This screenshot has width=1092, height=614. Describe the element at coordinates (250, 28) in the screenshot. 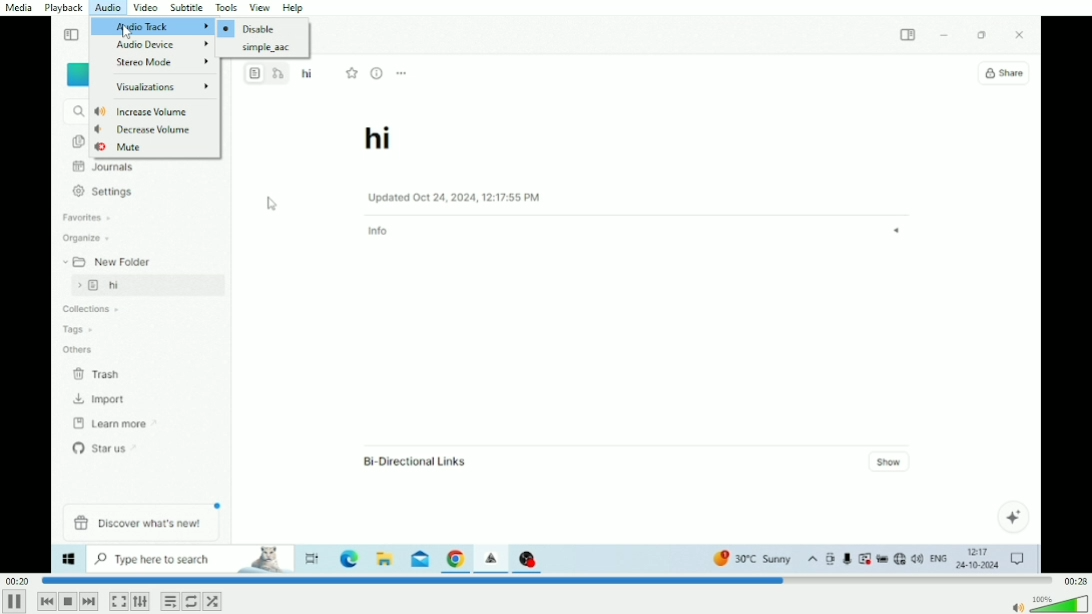

I see `Disable` at that location.